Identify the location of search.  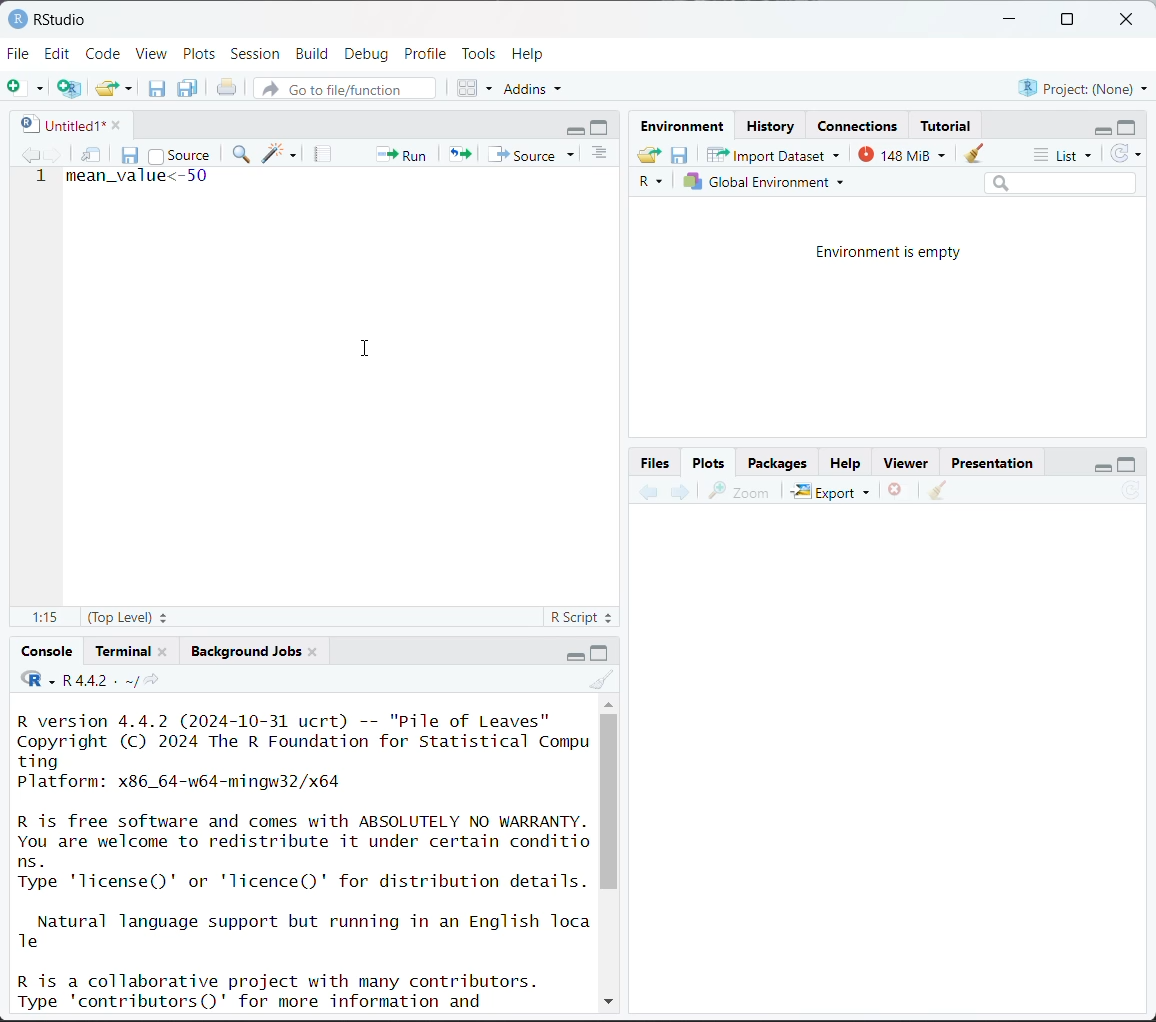
(1060, 182).